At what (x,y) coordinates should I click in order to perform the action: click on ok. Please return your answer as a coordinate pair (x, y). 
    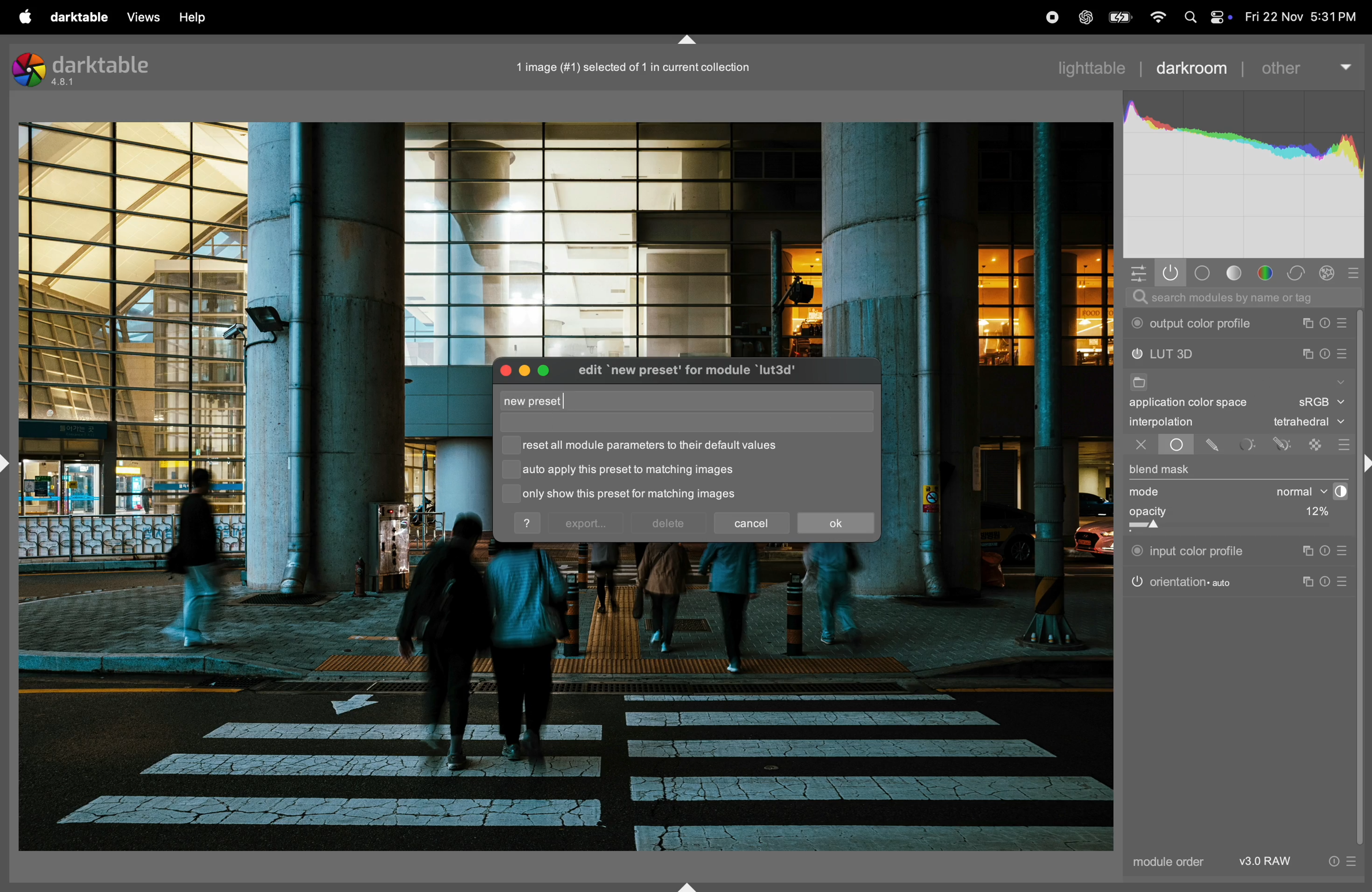
    Looking at the image, I should click on (835, 524).